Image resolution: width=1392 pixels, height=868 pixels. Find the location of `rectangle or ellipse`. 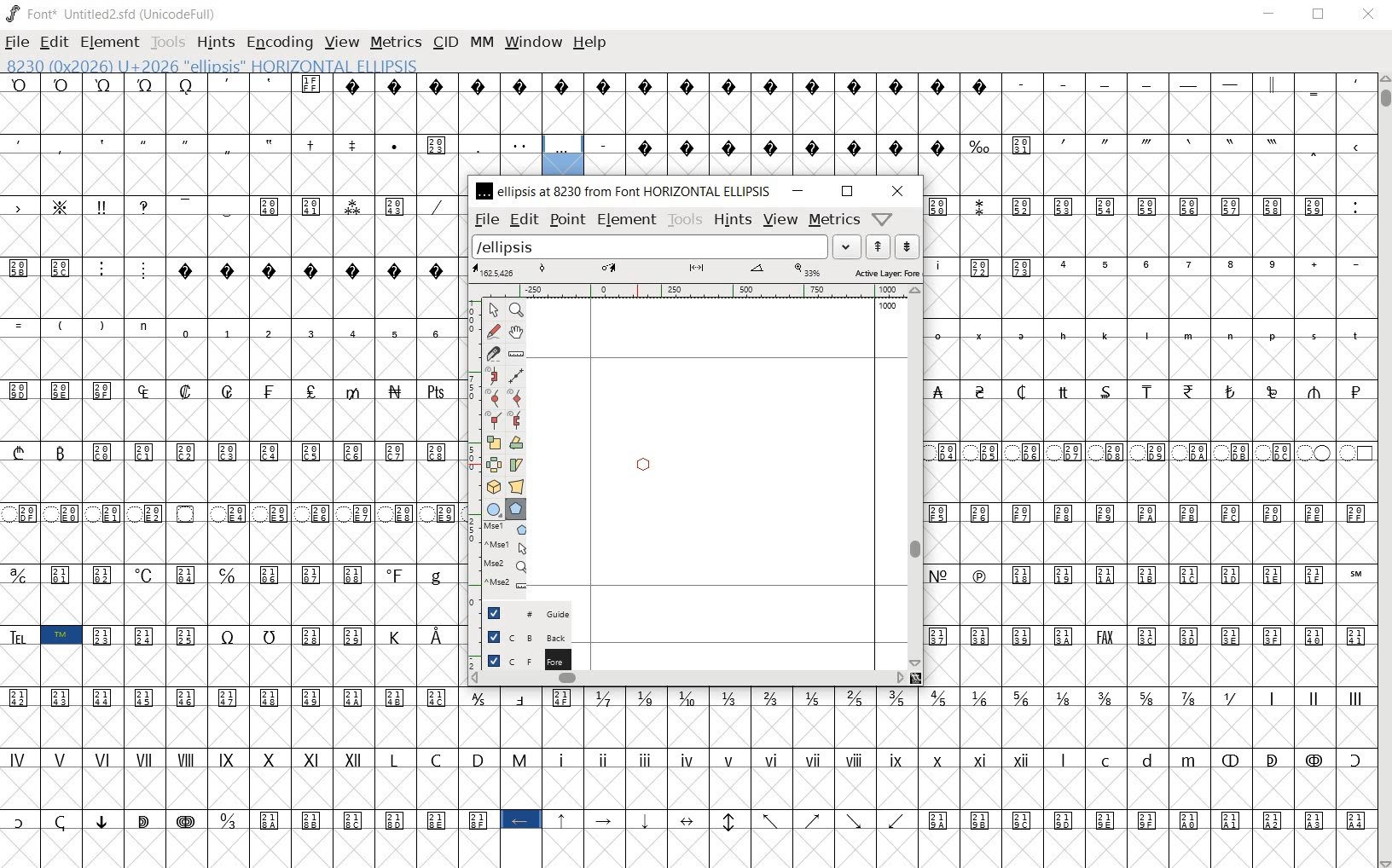

rectangle or ellipse is located at coordinates (490, 508).